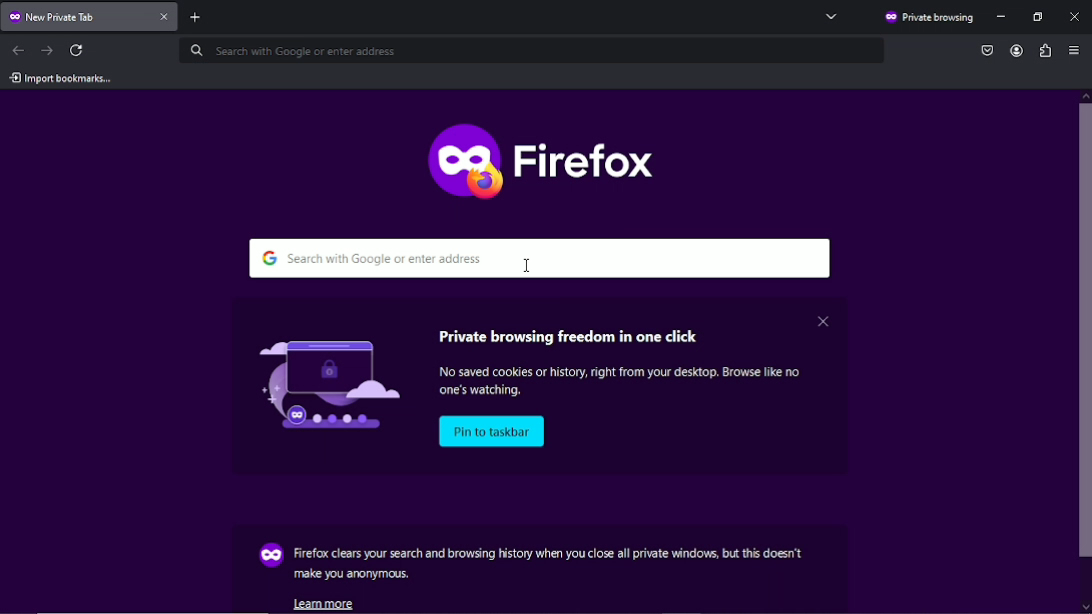 The image size is (1092, 614). What do you see at coordinates (1074, 52) in the screenshot?
I see `open application menu` at bounding box center [1074, 52].